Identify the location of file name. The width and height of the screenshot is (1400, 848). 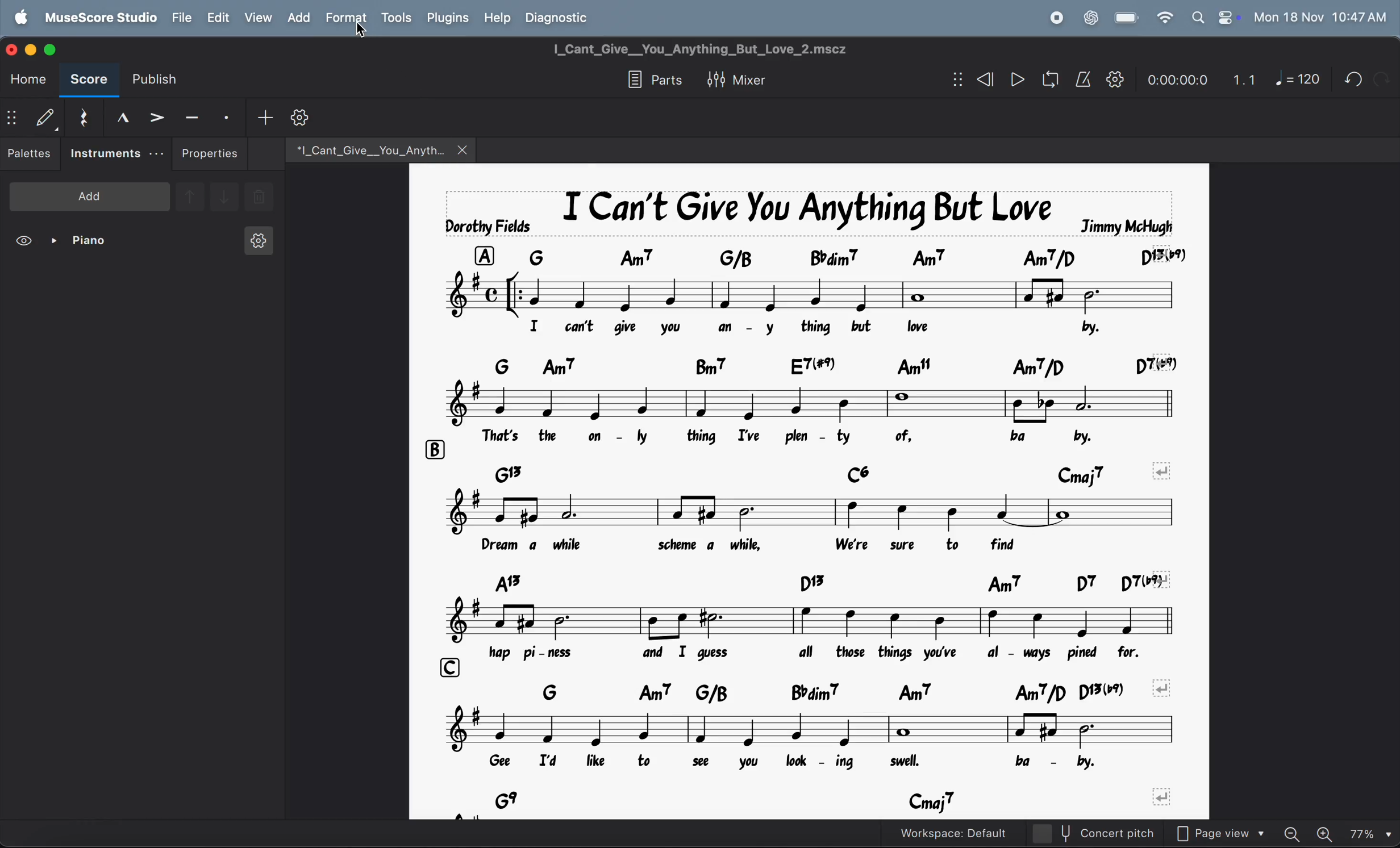
(363, 148).